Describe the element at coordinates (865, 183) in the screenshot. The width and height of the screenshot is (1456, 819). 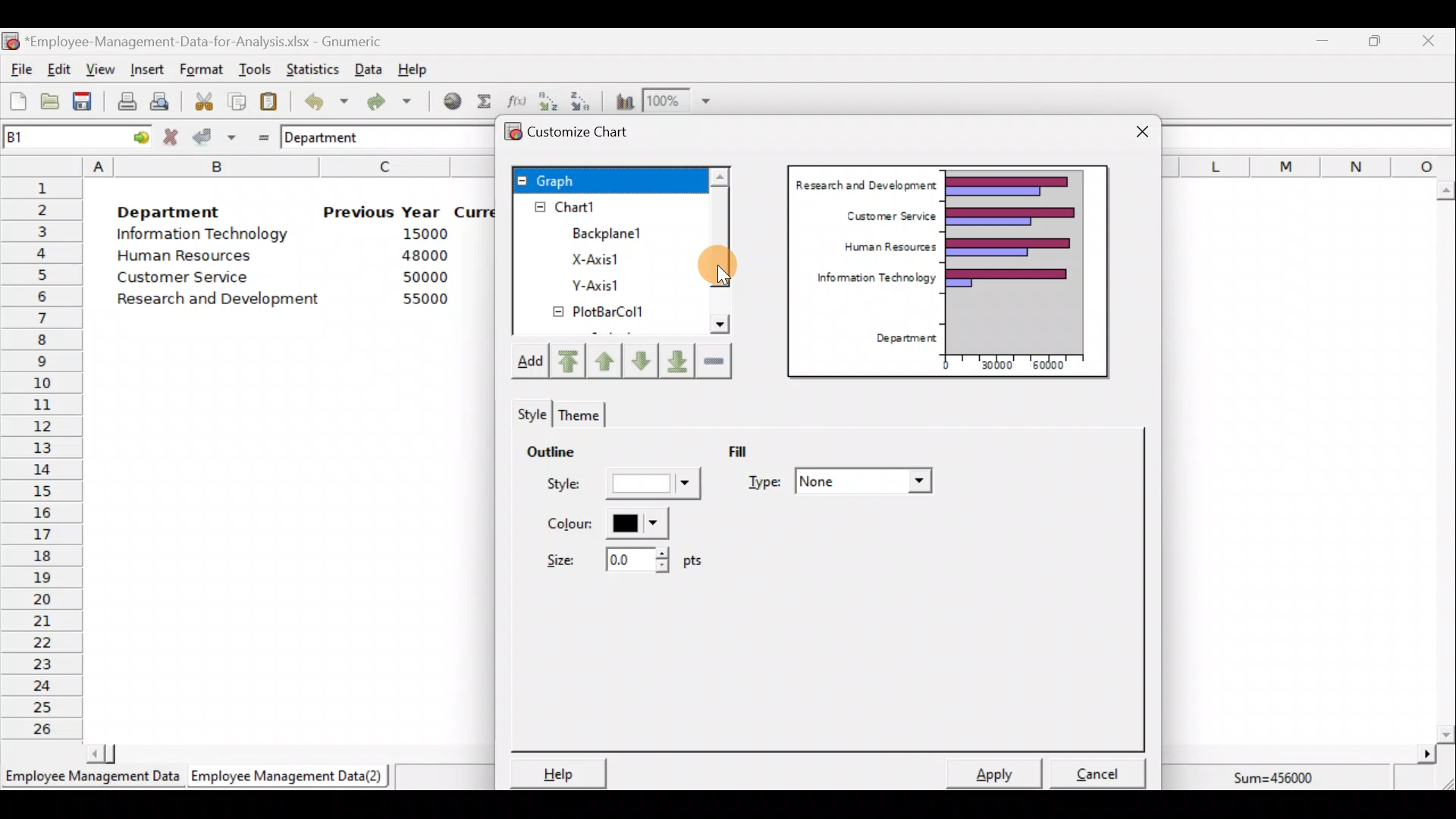
I see `Research and Development` at that location.